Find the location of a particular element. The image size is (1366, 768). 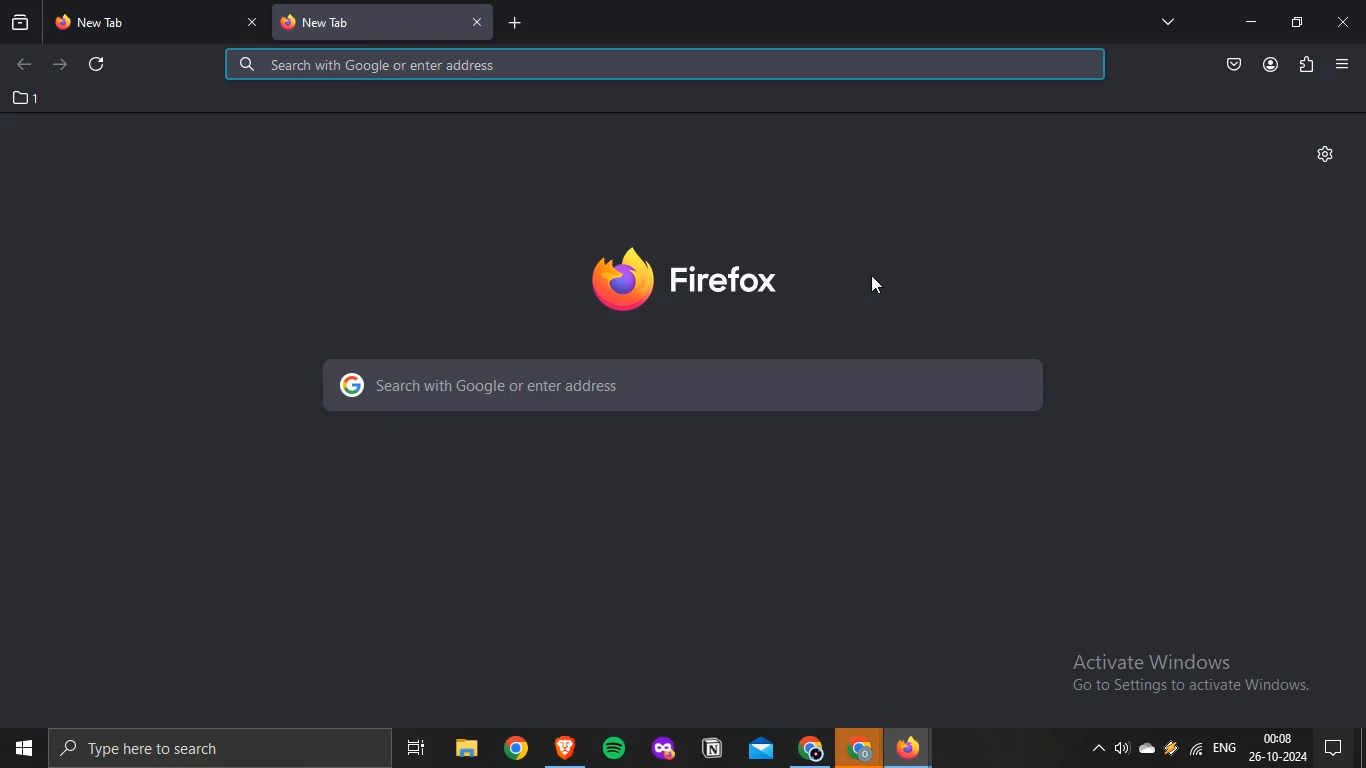

sound is located at coordinates (1120, 750).